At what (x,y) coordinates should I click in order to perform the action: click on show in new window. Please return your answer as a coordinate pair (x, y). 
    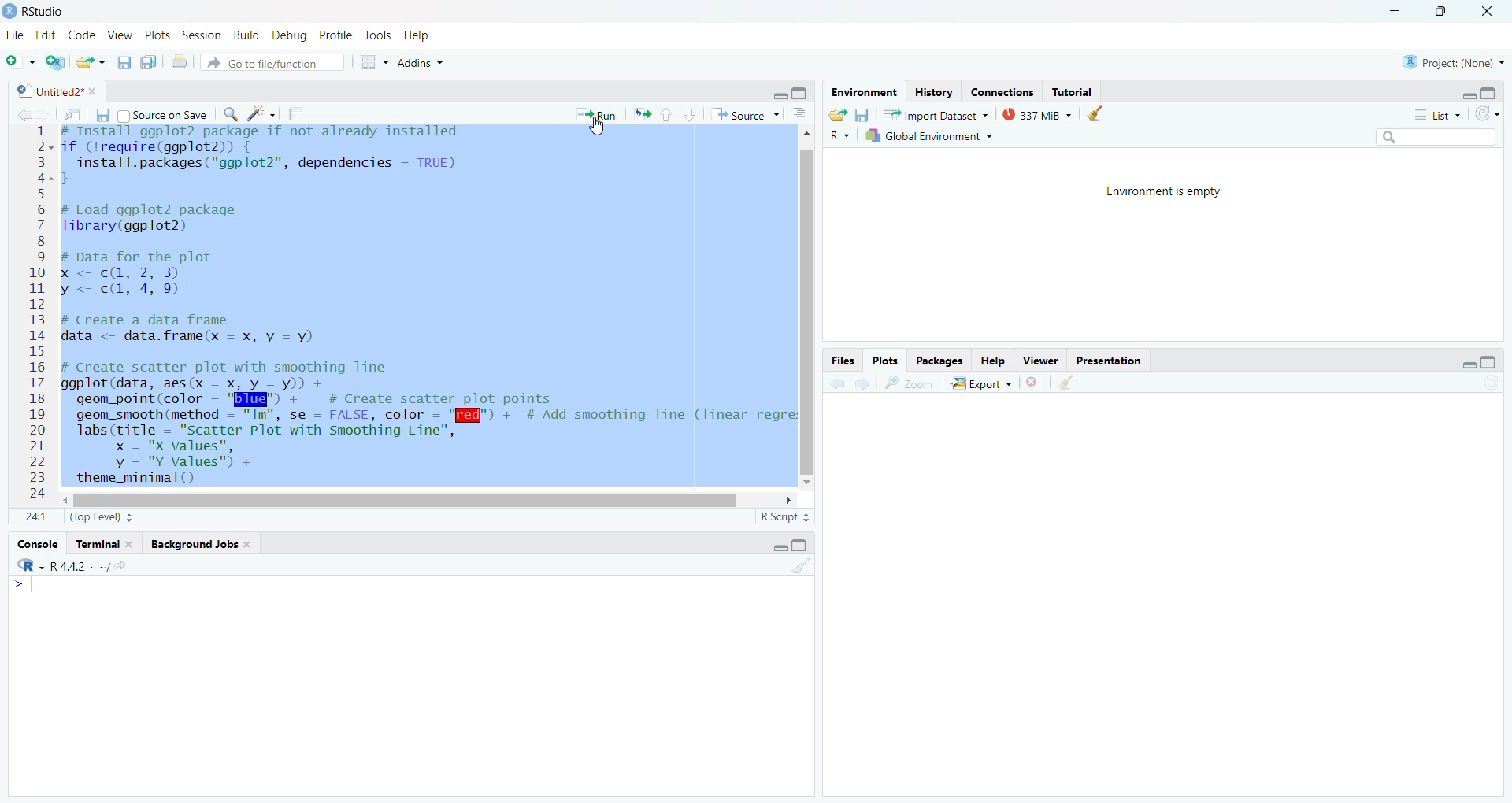
    Looking at the image, I should click on (72, 114).